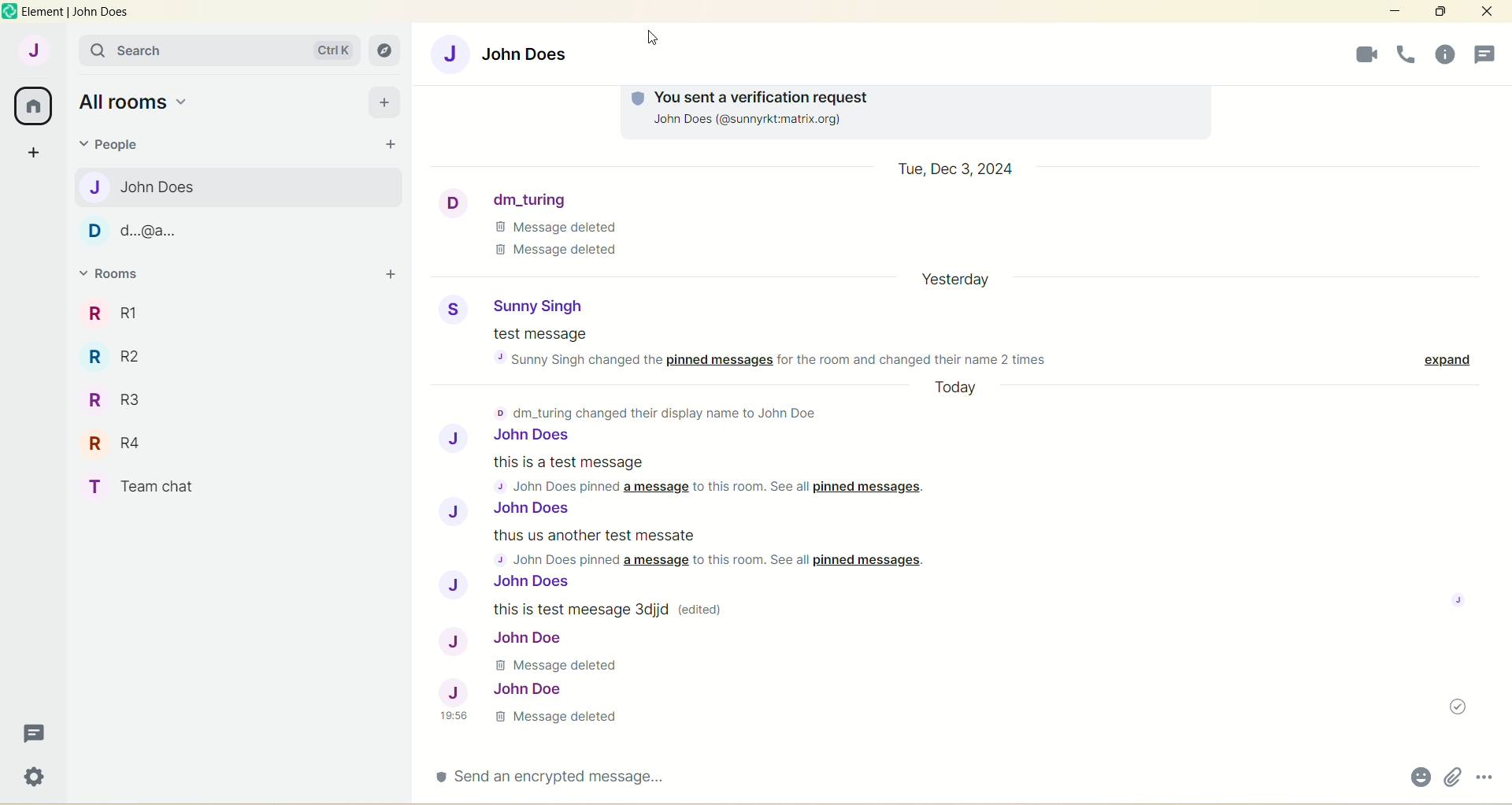 This screenshot has height=805, width=1512. What do you see at coordinates (32, 778) in the screenshot?
I see `quick settings` at bounding box center [32, 778].